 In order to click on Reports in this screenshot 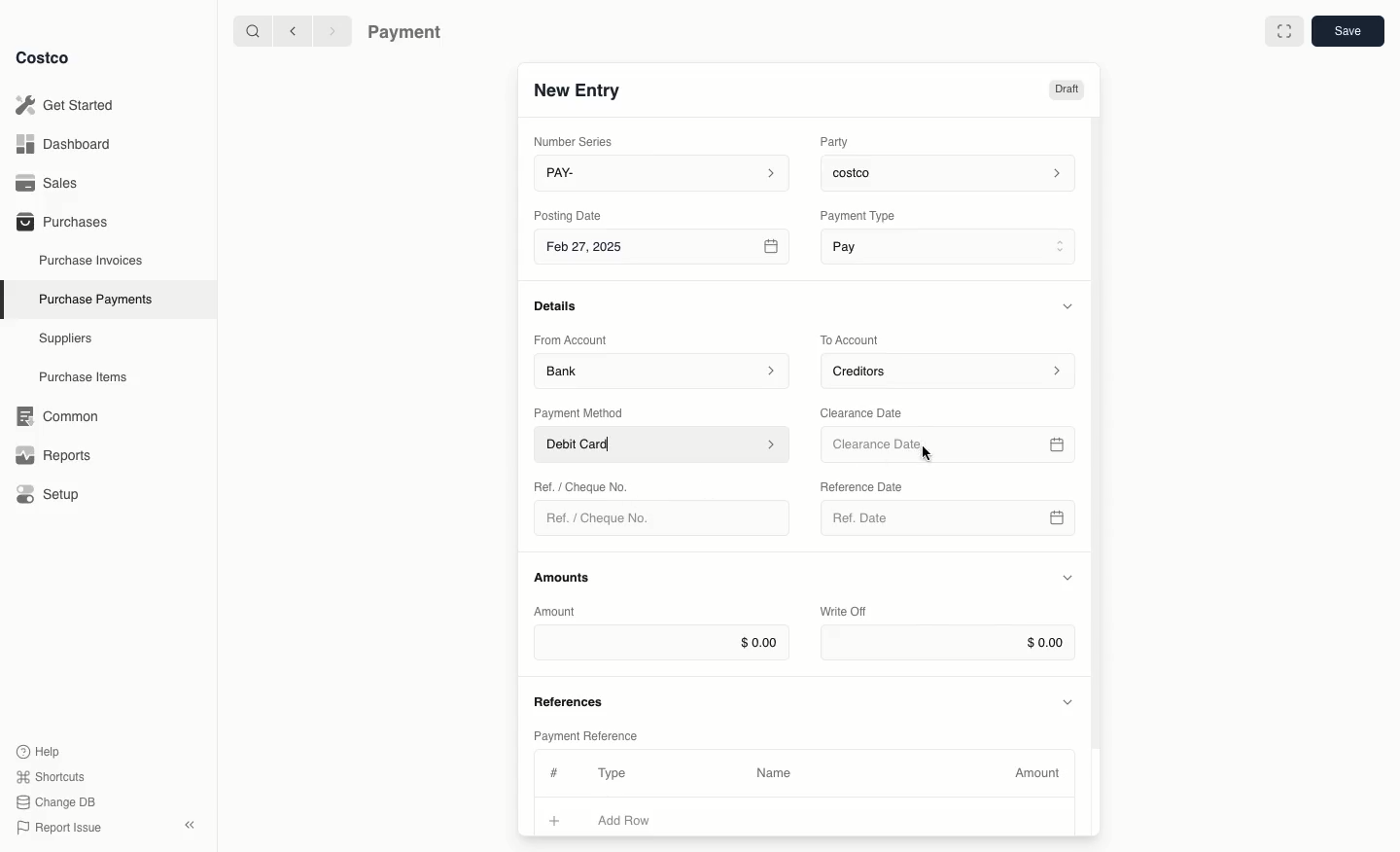, I will do `click(51, 452)`.